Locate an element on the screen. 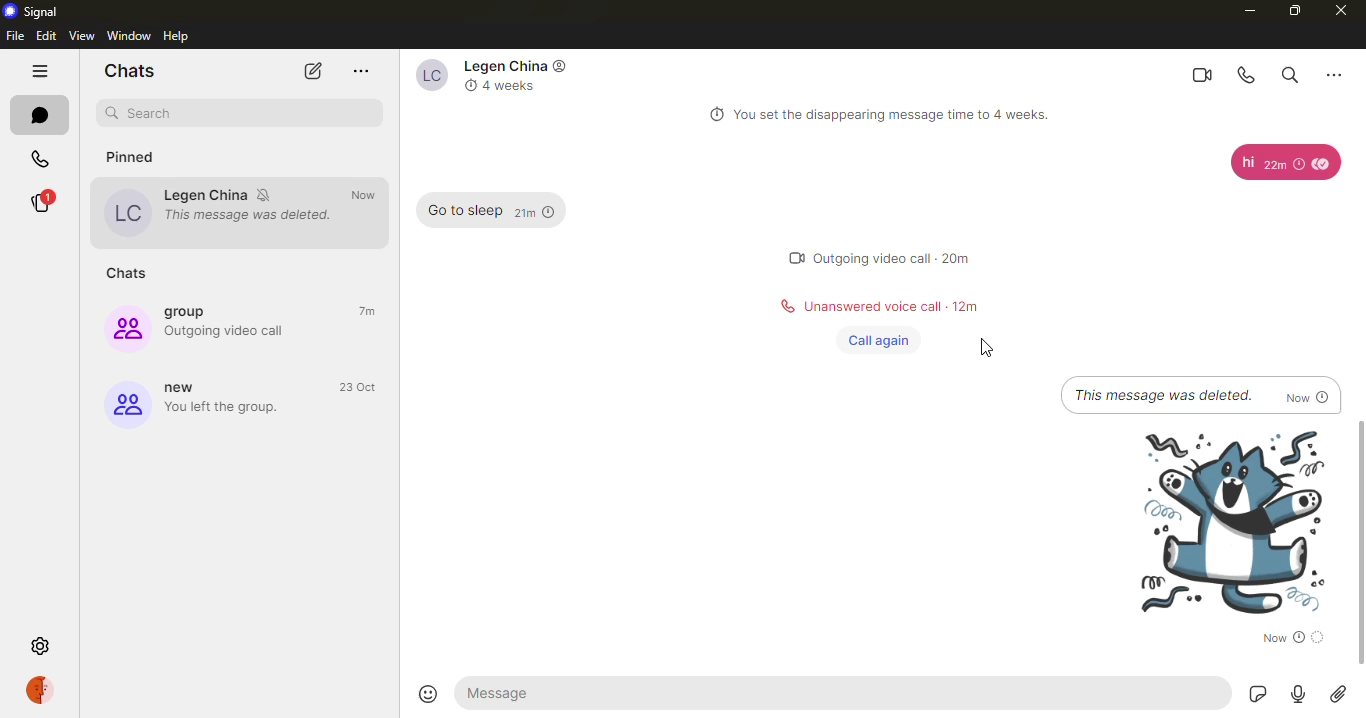  group profile is located at coordinates (124, 328).